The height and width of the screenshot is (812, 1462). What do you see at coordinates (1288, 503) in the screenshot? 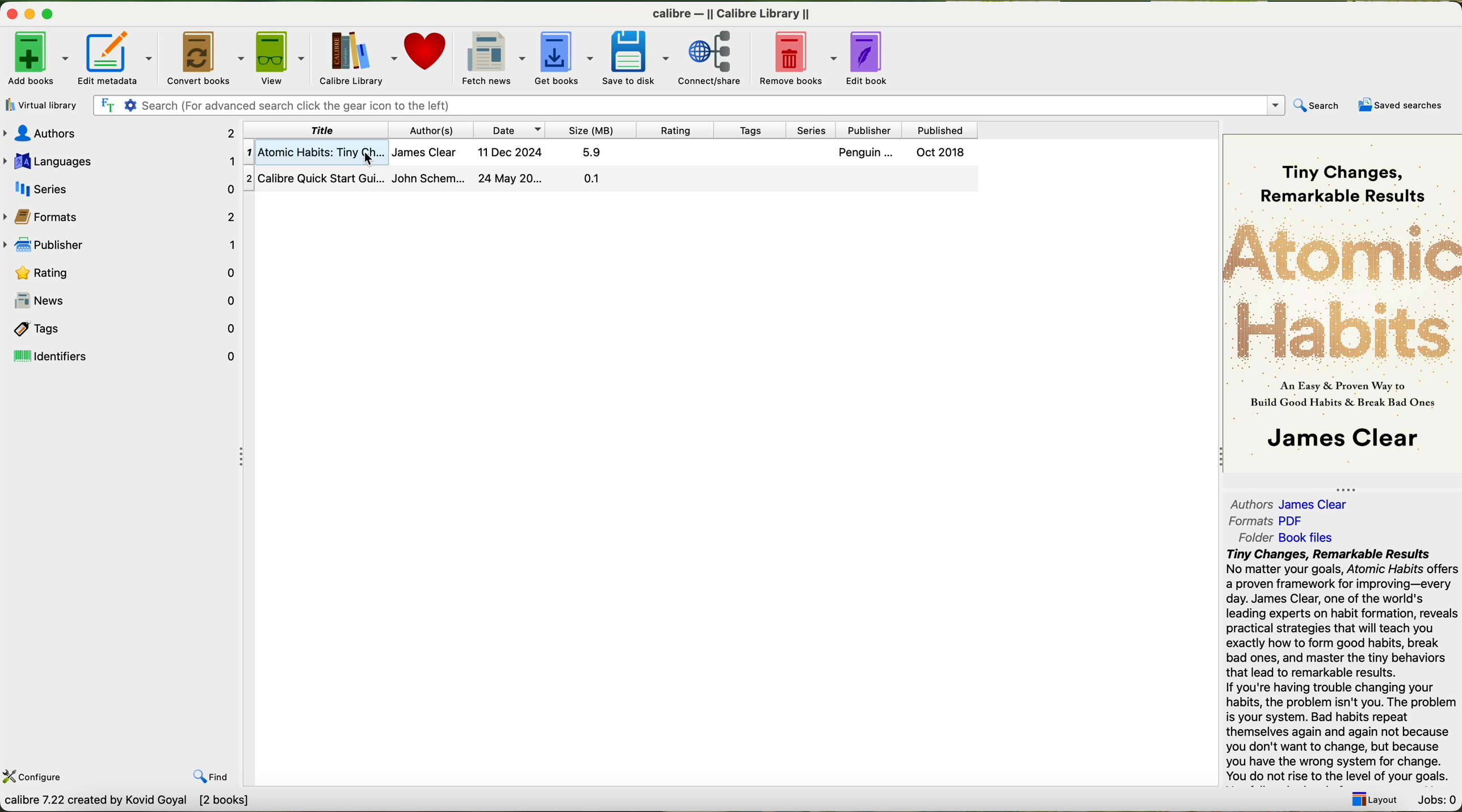
I see `authors` at bounding box center [1288, 503].